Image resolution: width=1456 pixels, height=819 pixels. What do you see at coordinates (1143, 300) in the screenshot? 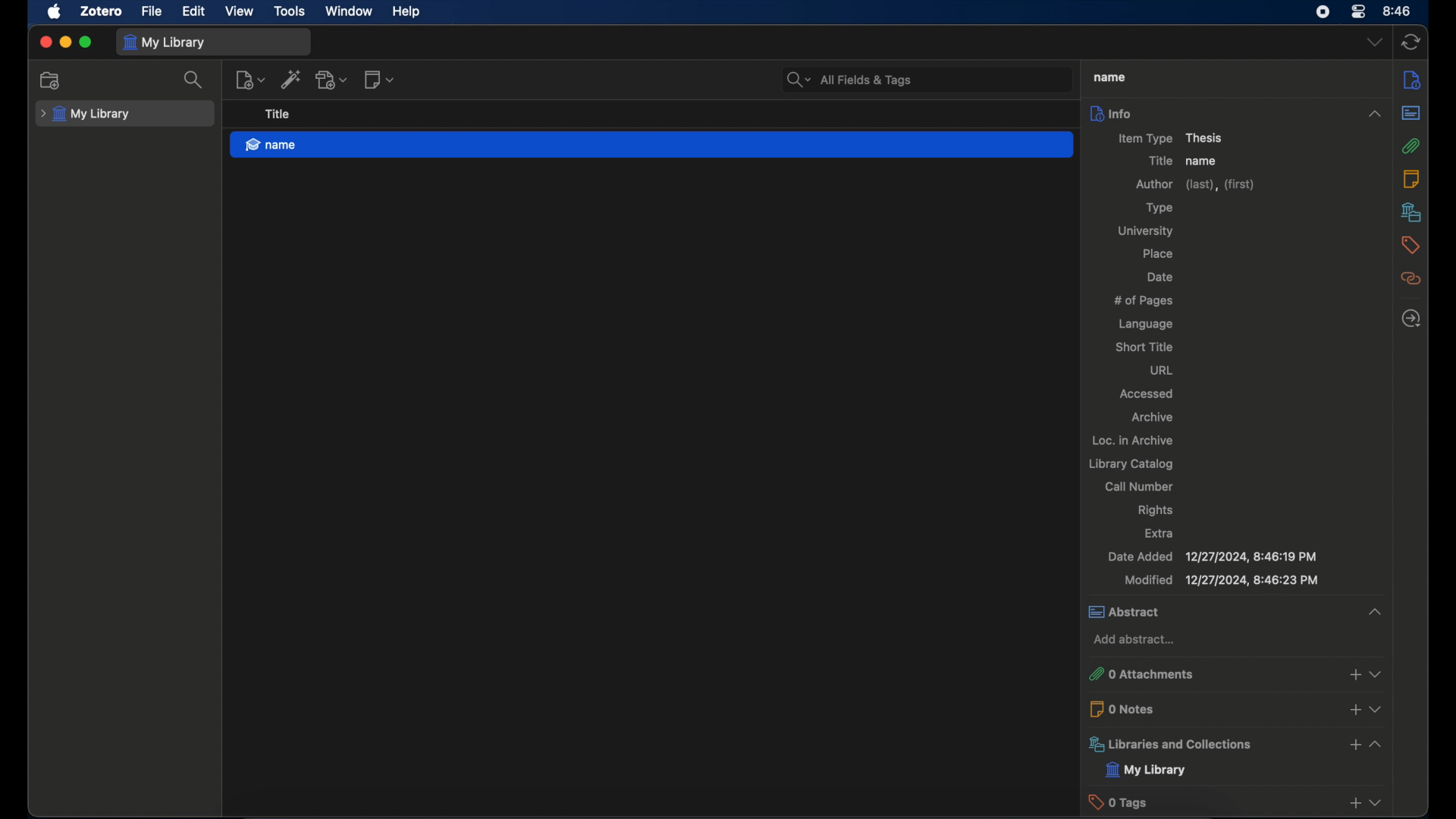
I see `no of pages` at bounding box center [1143, 300].